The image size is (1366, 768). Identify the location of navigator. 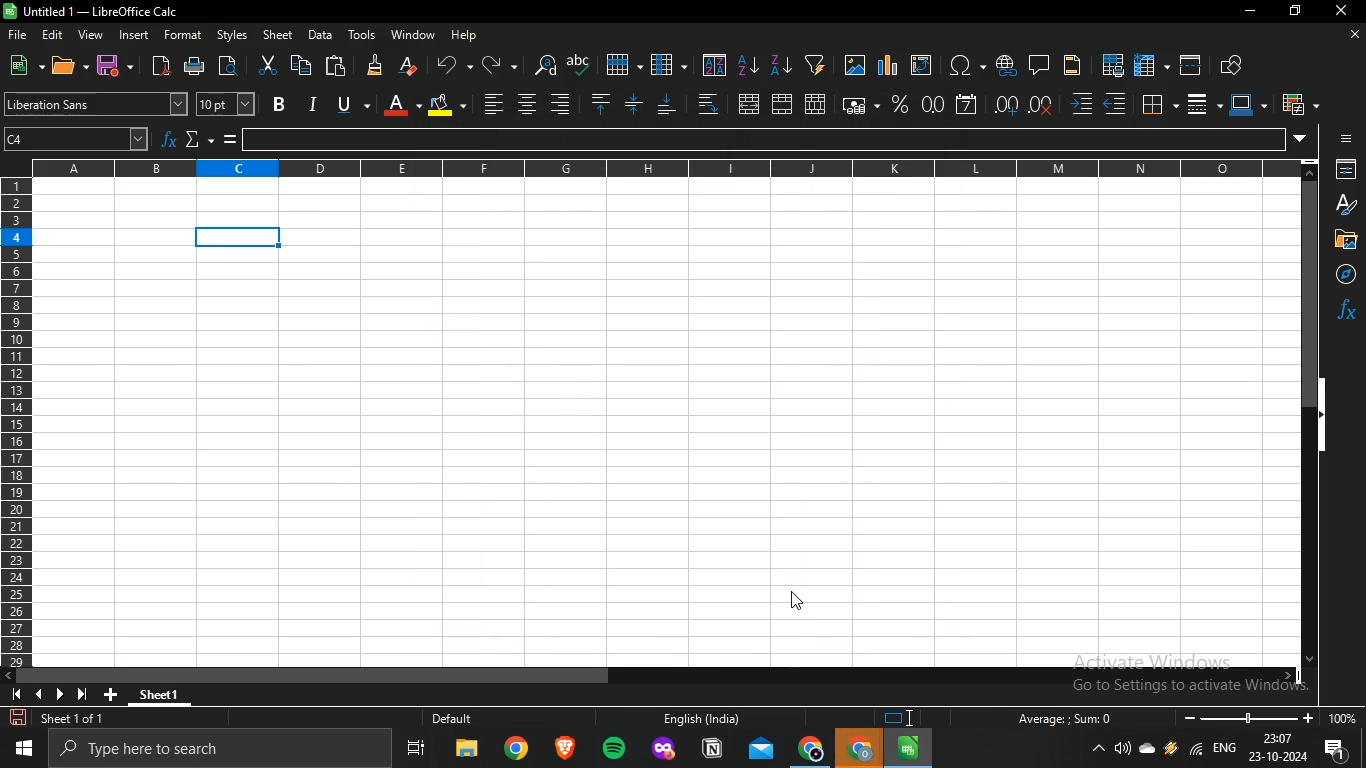
(1340, 274).